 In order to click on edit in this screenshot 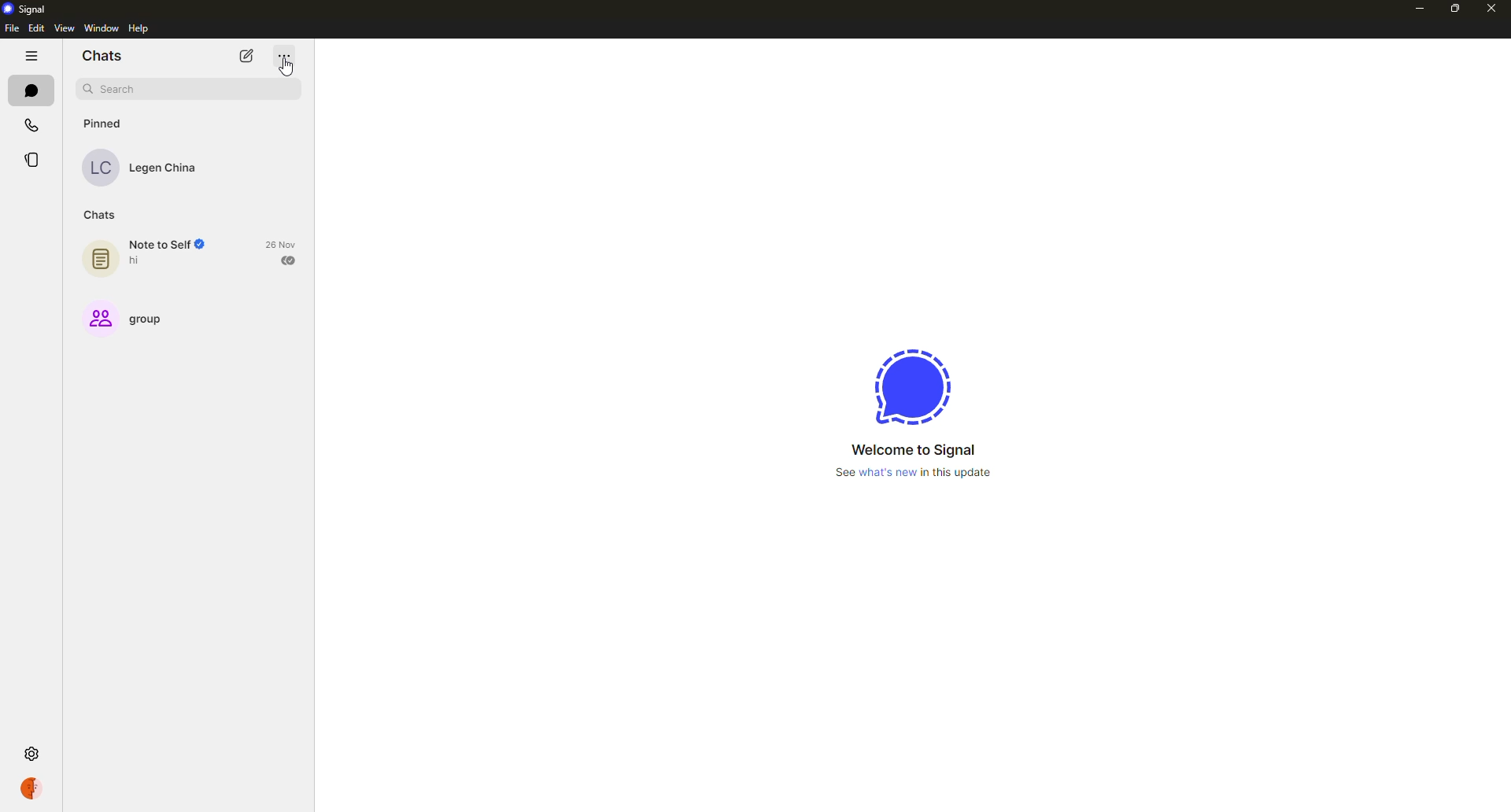, I will do `click(37, 28)`.